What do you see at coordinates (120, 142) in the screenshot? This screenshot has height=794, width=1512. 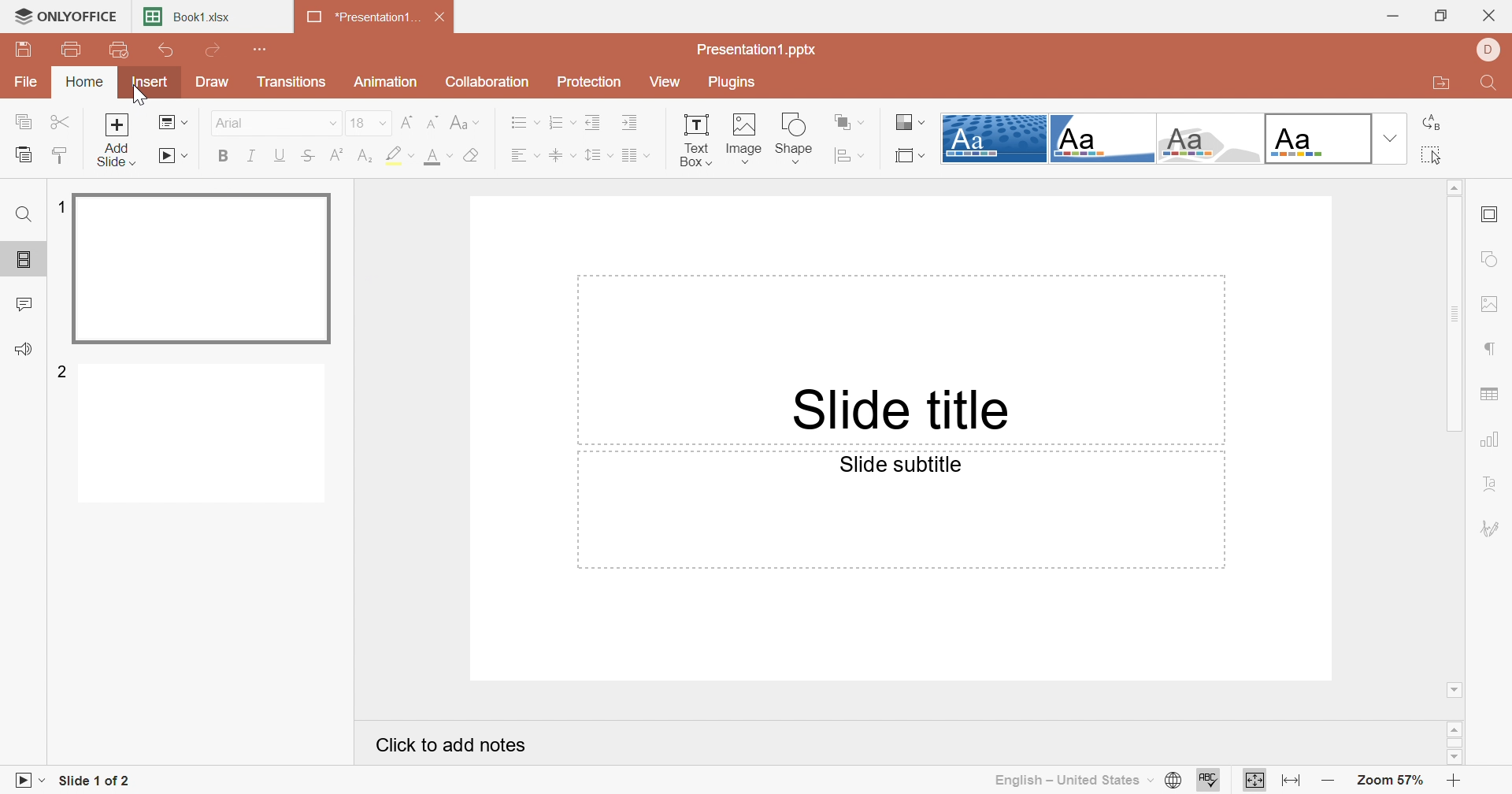 I see `Add slide` at bounding box center [120, 142].